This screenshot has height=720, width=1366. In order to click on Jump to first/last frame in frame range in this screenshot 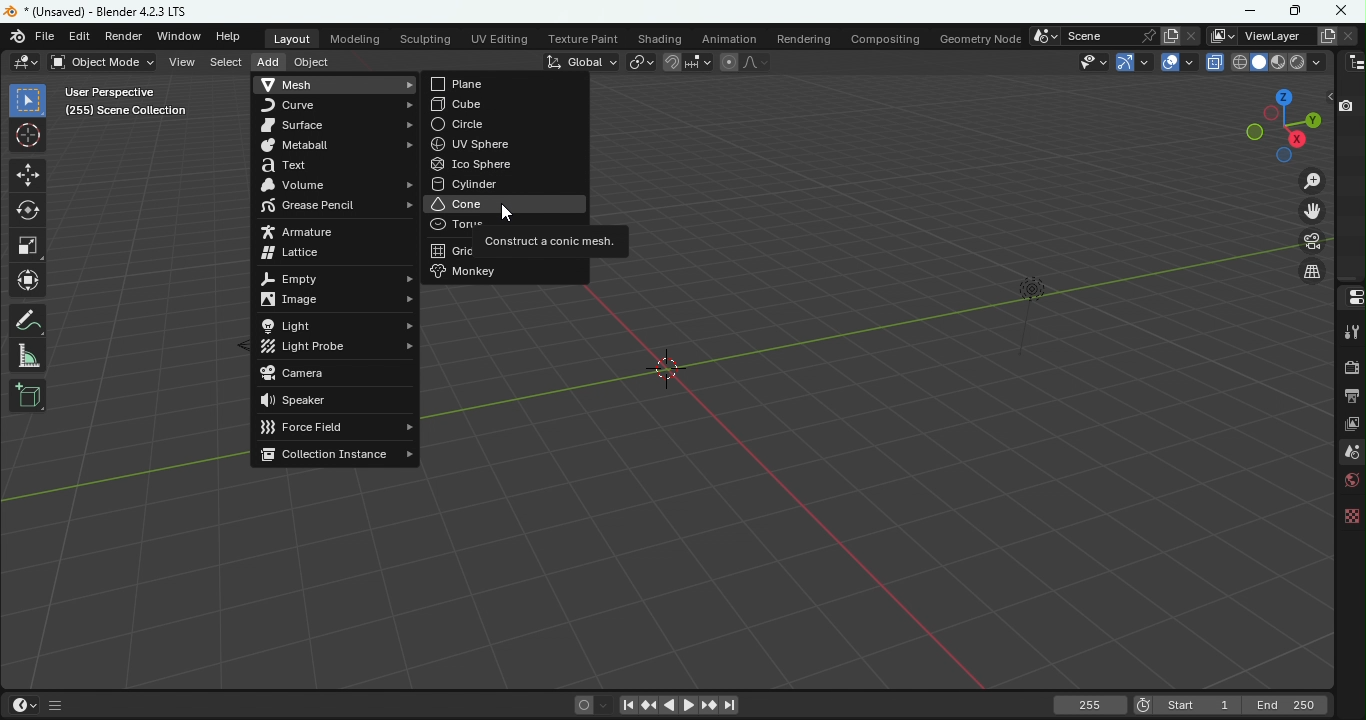, I will do `click(731, 706)`.